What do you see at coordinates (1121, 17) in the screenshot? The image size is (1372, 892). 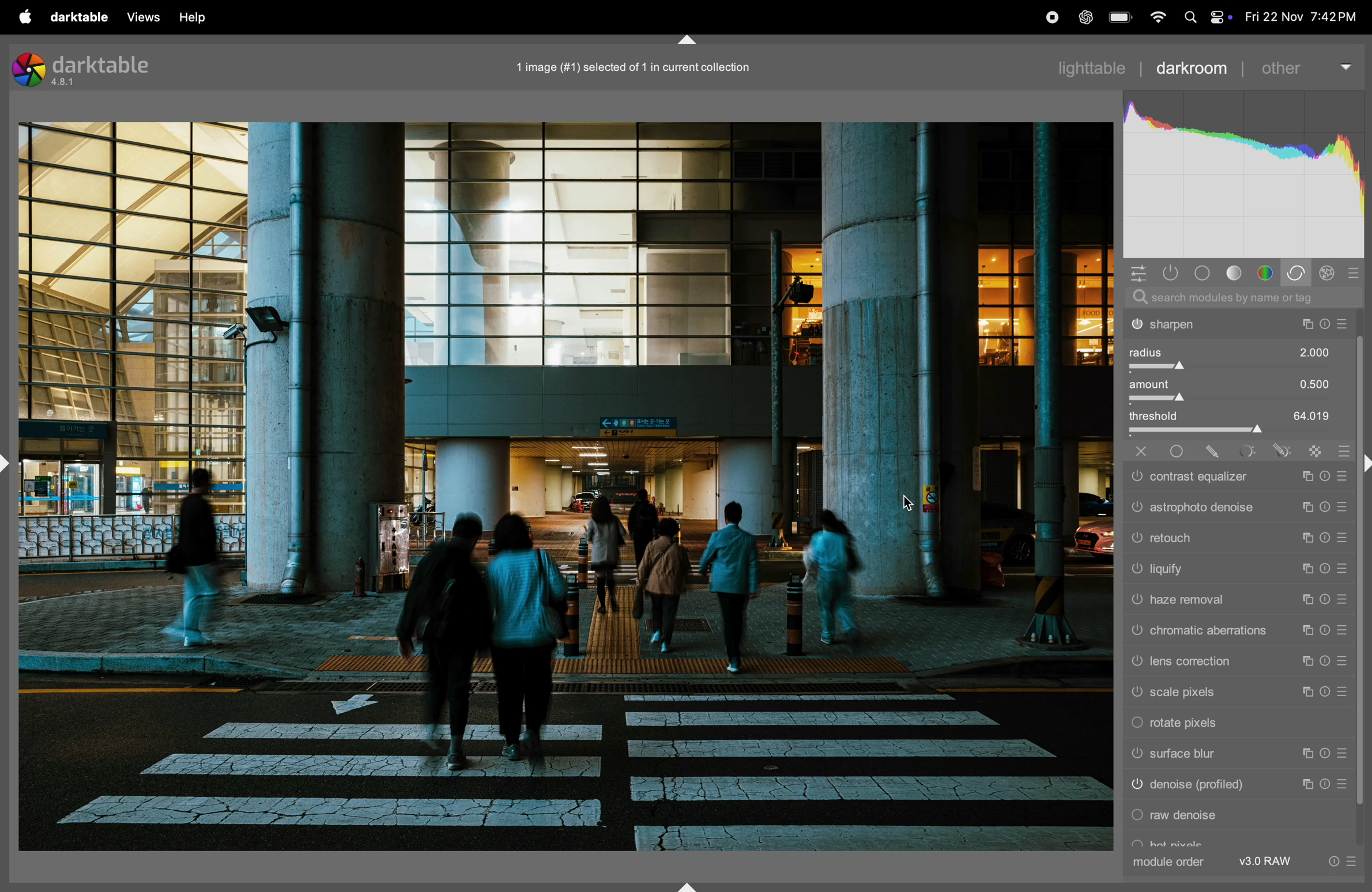 I see `battery` at bounding box center [1121, 17].